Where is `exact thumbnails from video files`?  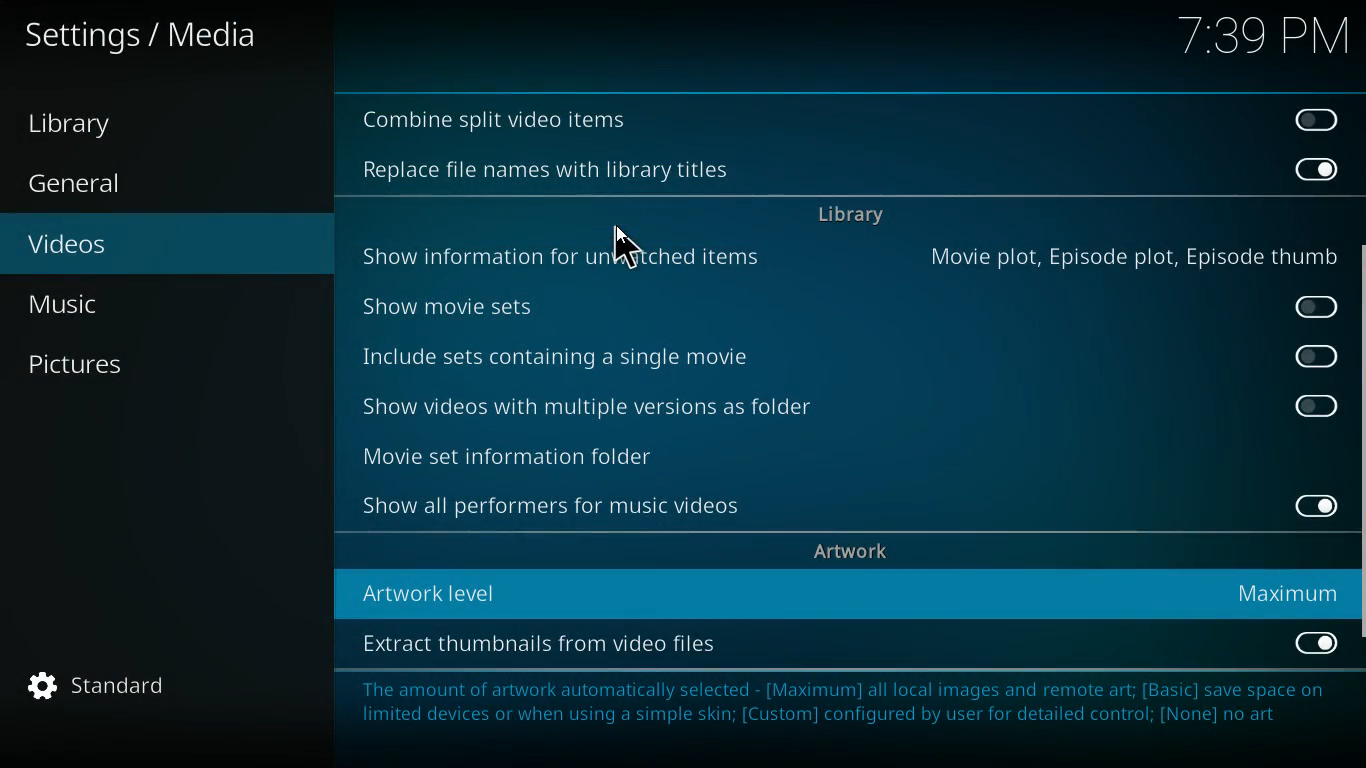 exact thumbnails from video files is located at coordinates (566, 645).